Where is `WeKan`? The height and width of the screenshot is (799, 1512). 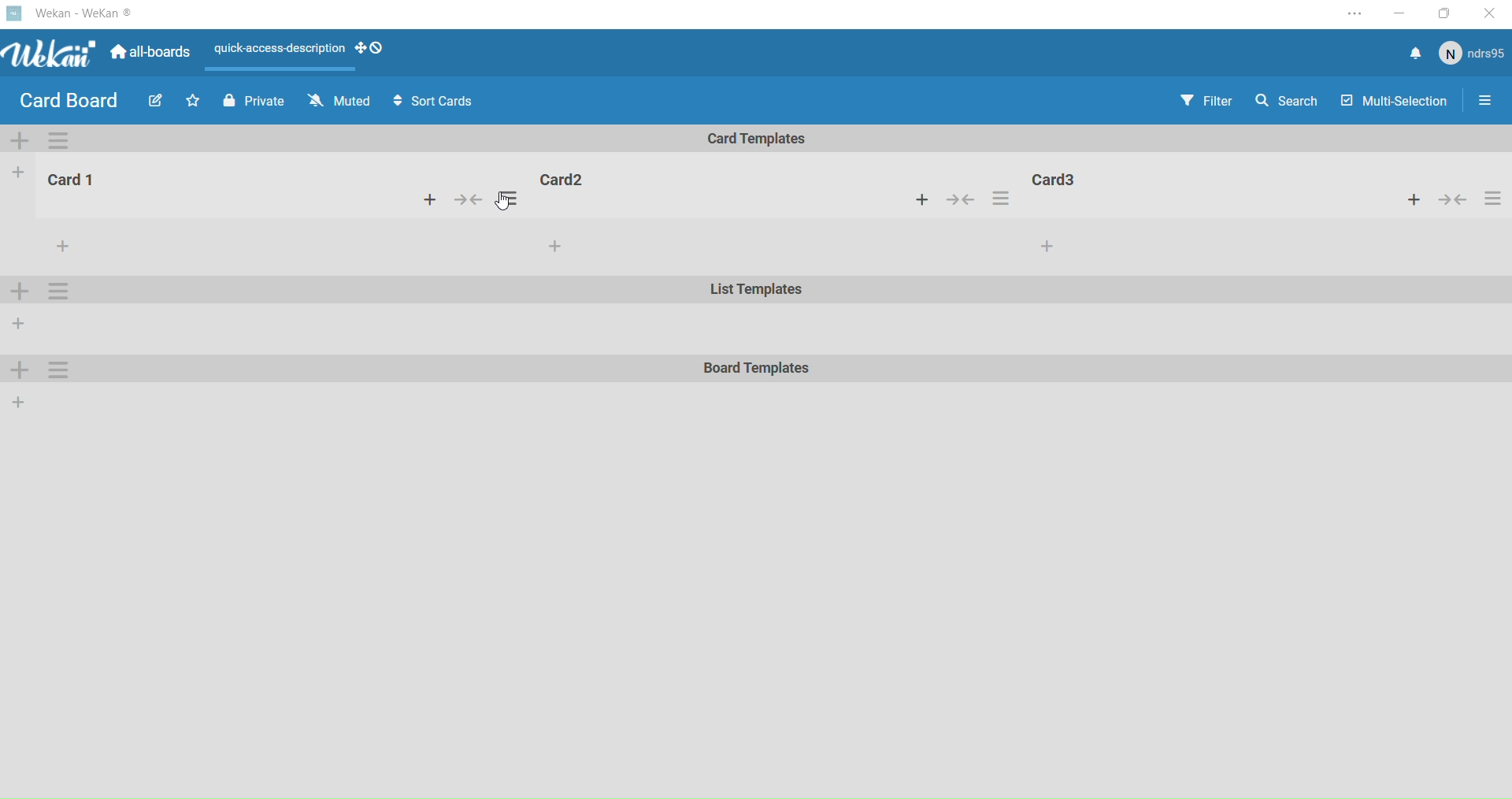 WeKan is located at coordinates (72, 13).